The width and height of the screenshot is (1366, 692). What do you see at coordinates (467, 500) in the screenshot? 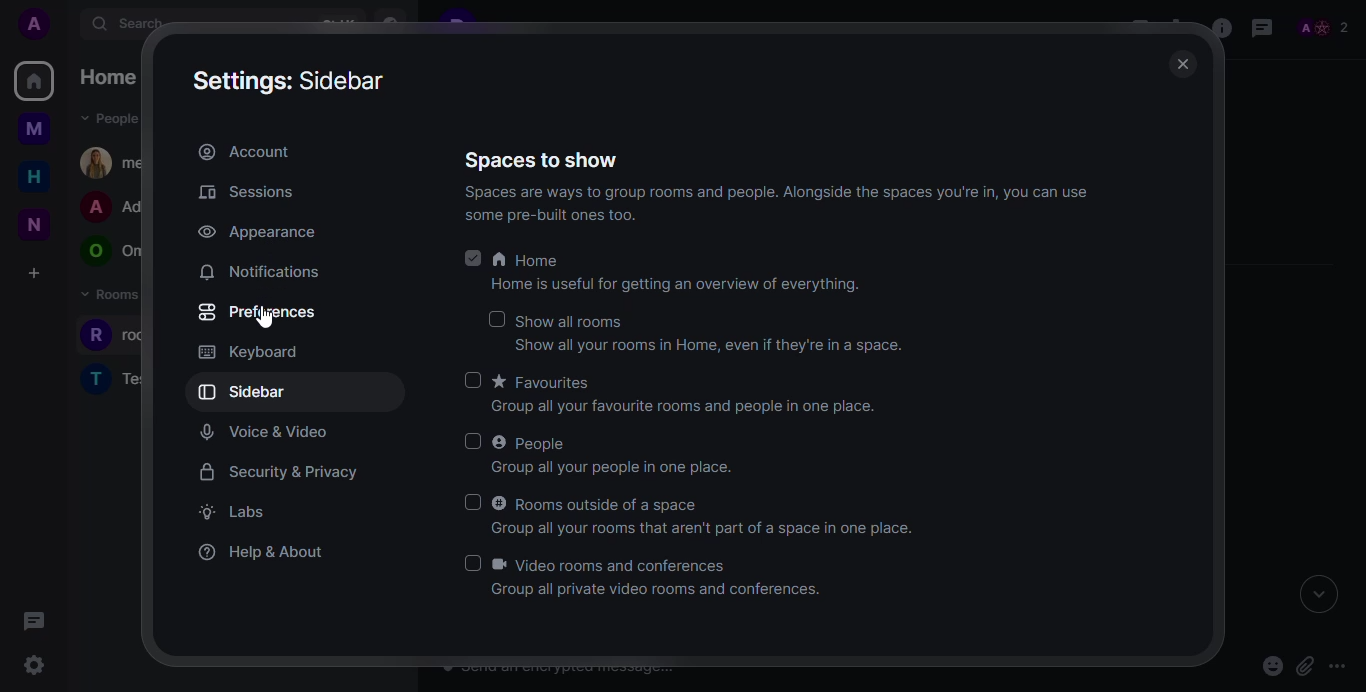
I see `selection box` at bounding box center [467, 500].